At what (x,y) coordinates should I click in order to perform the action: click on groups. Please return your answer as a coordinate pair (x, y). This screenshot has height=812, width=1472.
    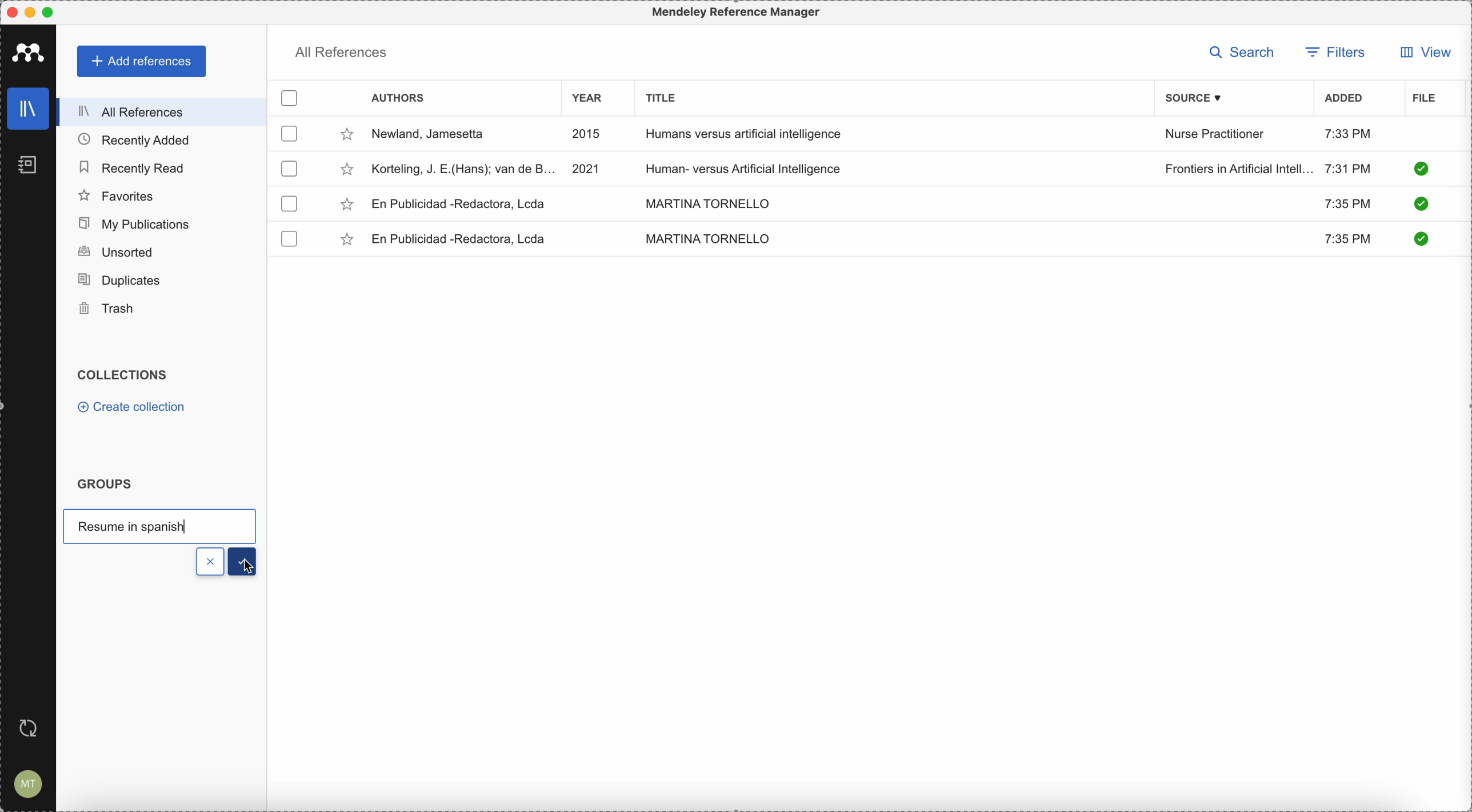
    Looking at the image, I should click on (104, 482).